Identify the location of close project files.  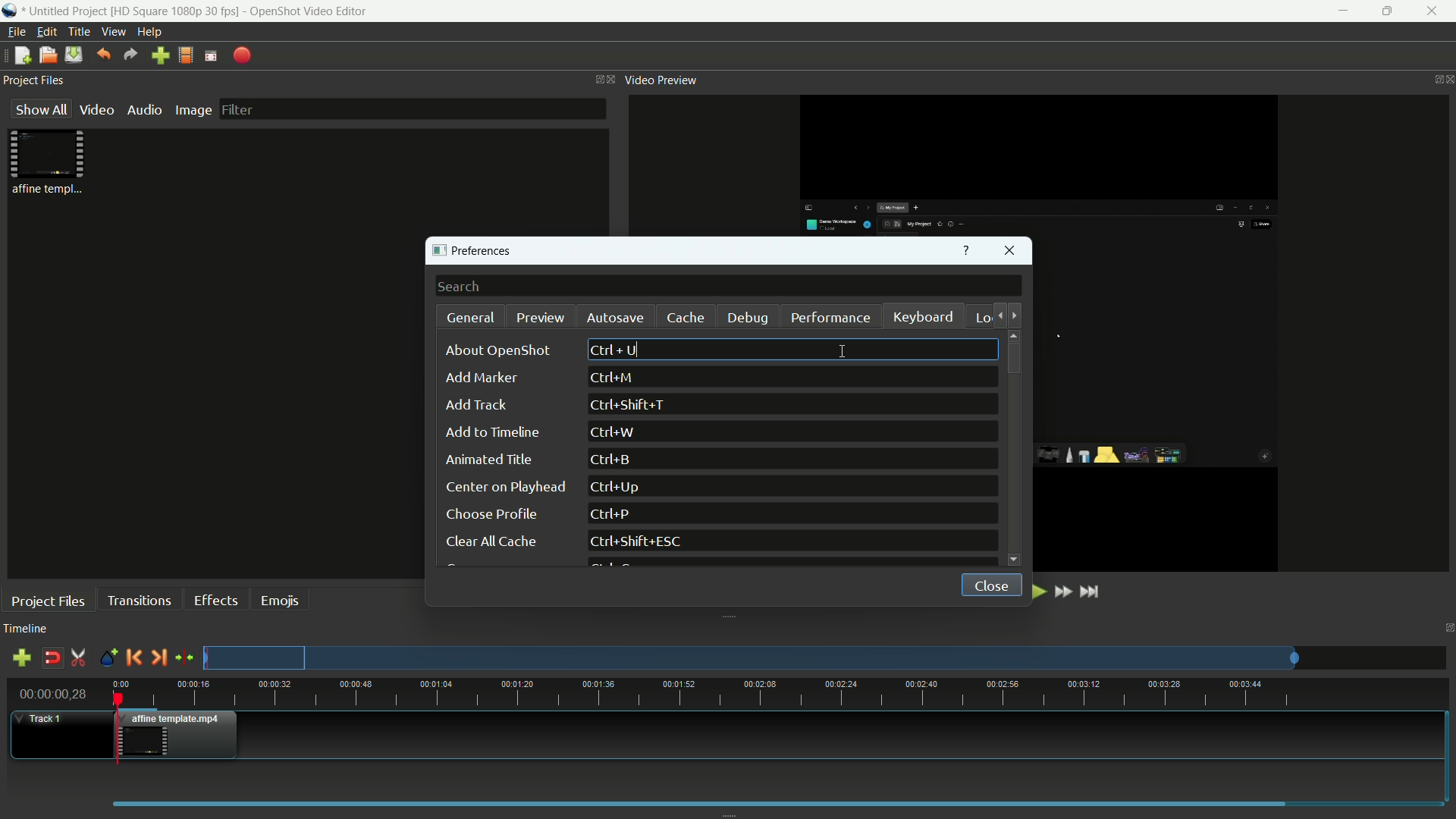
(608, 80).